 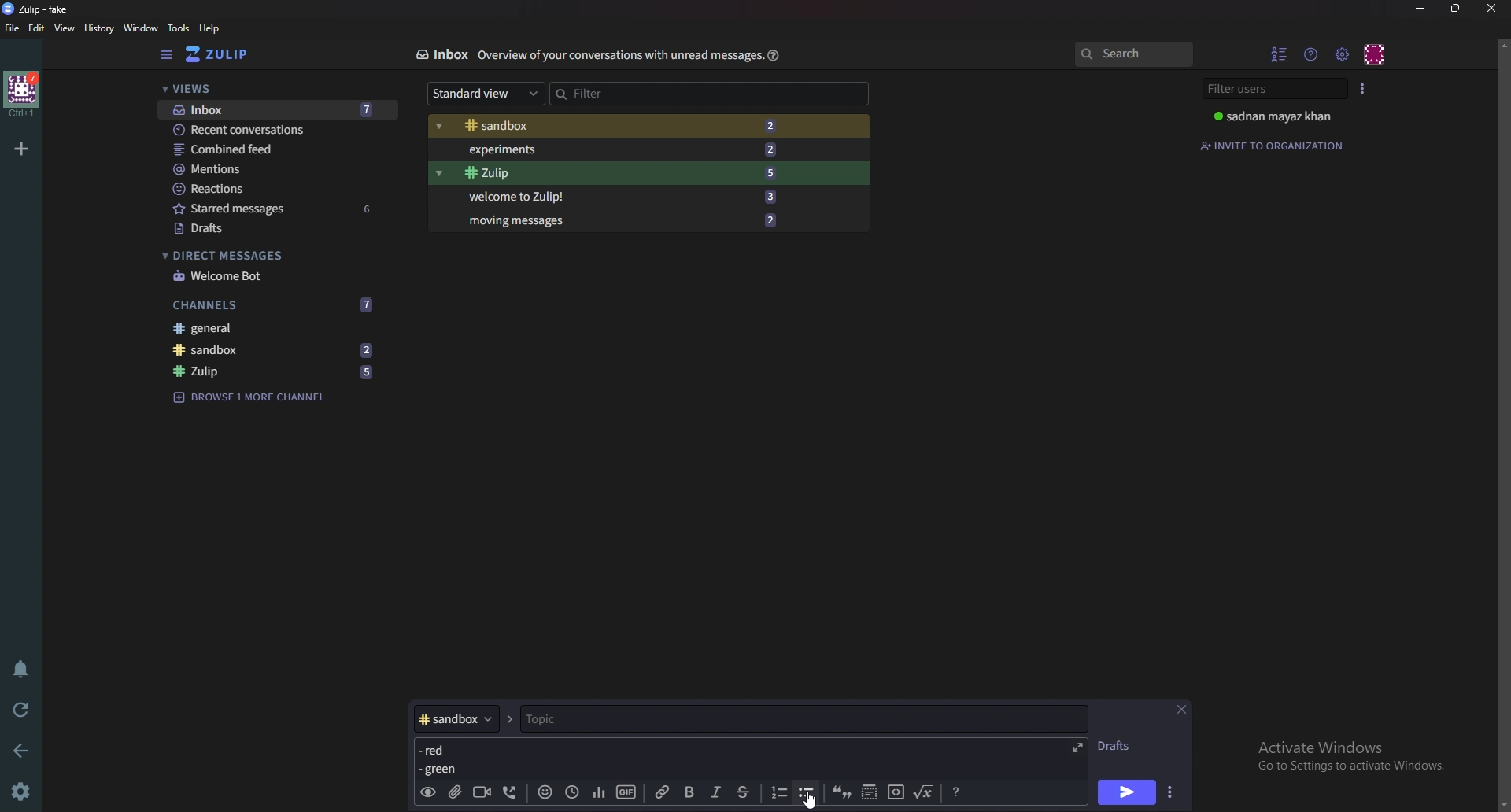 I want to click on gif, so click(x=626, y=792).